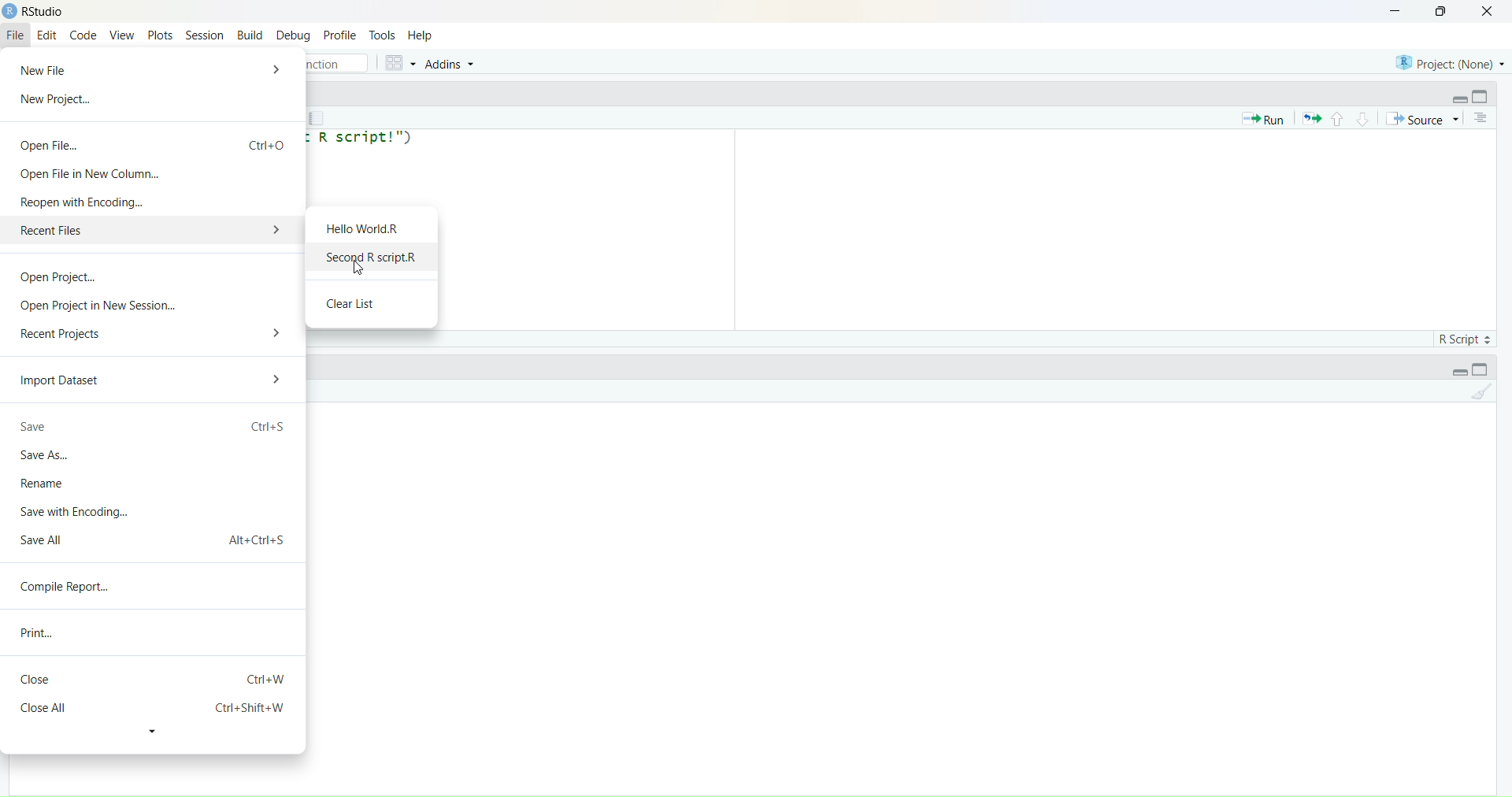 The height and width of the screenshot is (797, 1512). Describe the element at coordinates (98, 306) in the screenshot. I see `‘Open Project in New Session...` at that location.